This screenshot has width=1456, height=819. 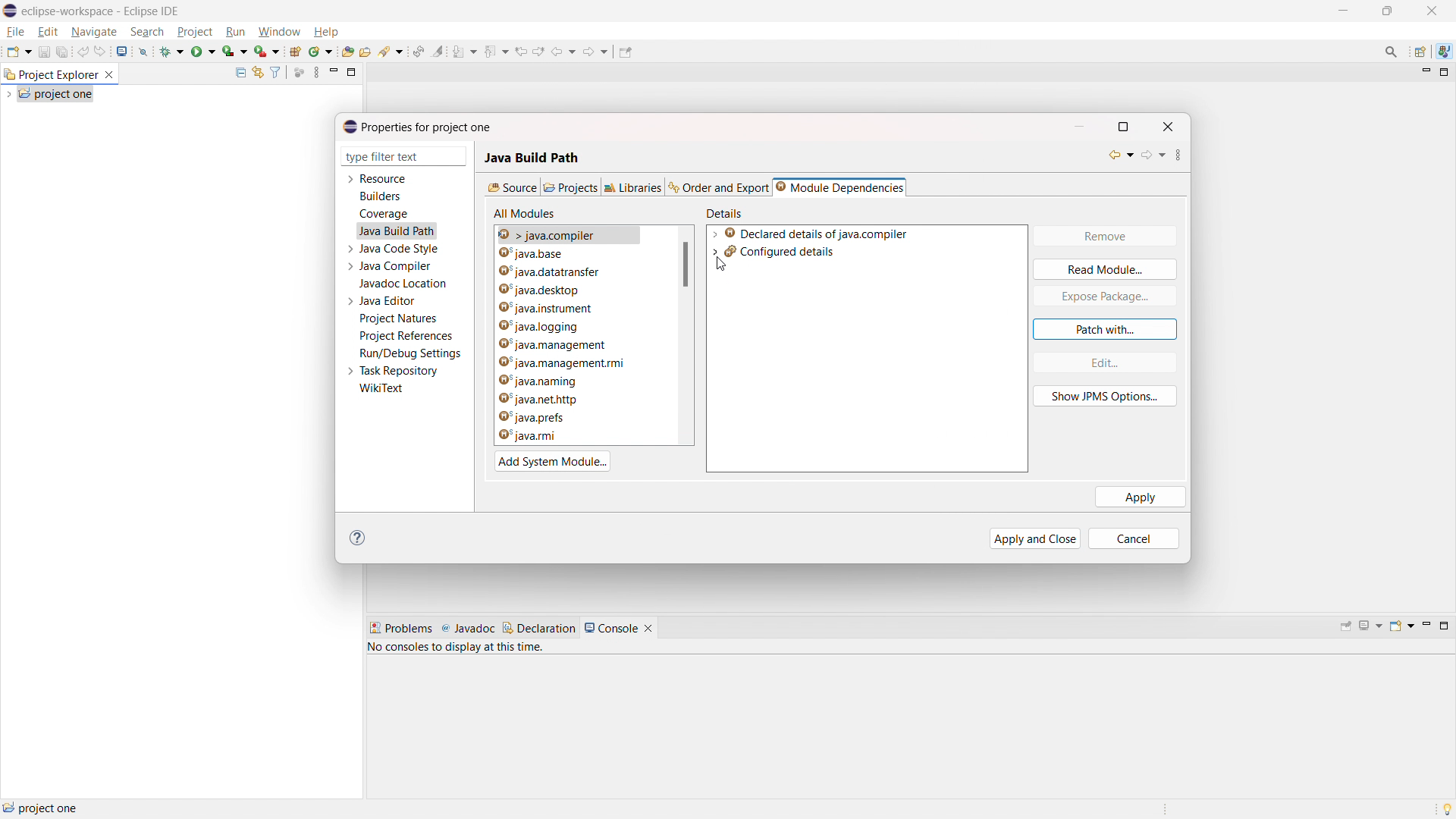 I want to click on open console, so click(x=1401, y=626).